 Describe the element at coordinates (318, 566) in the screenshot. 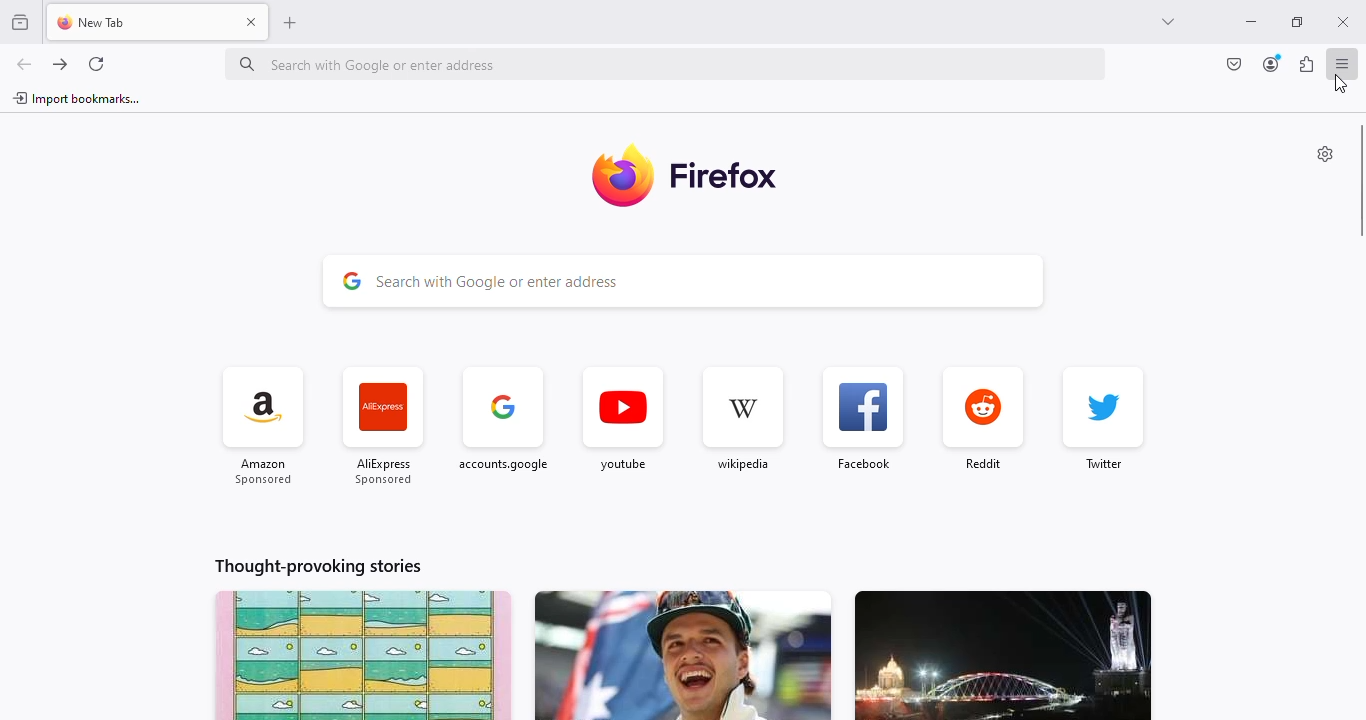

I see `thought-provoking stories` at that location.